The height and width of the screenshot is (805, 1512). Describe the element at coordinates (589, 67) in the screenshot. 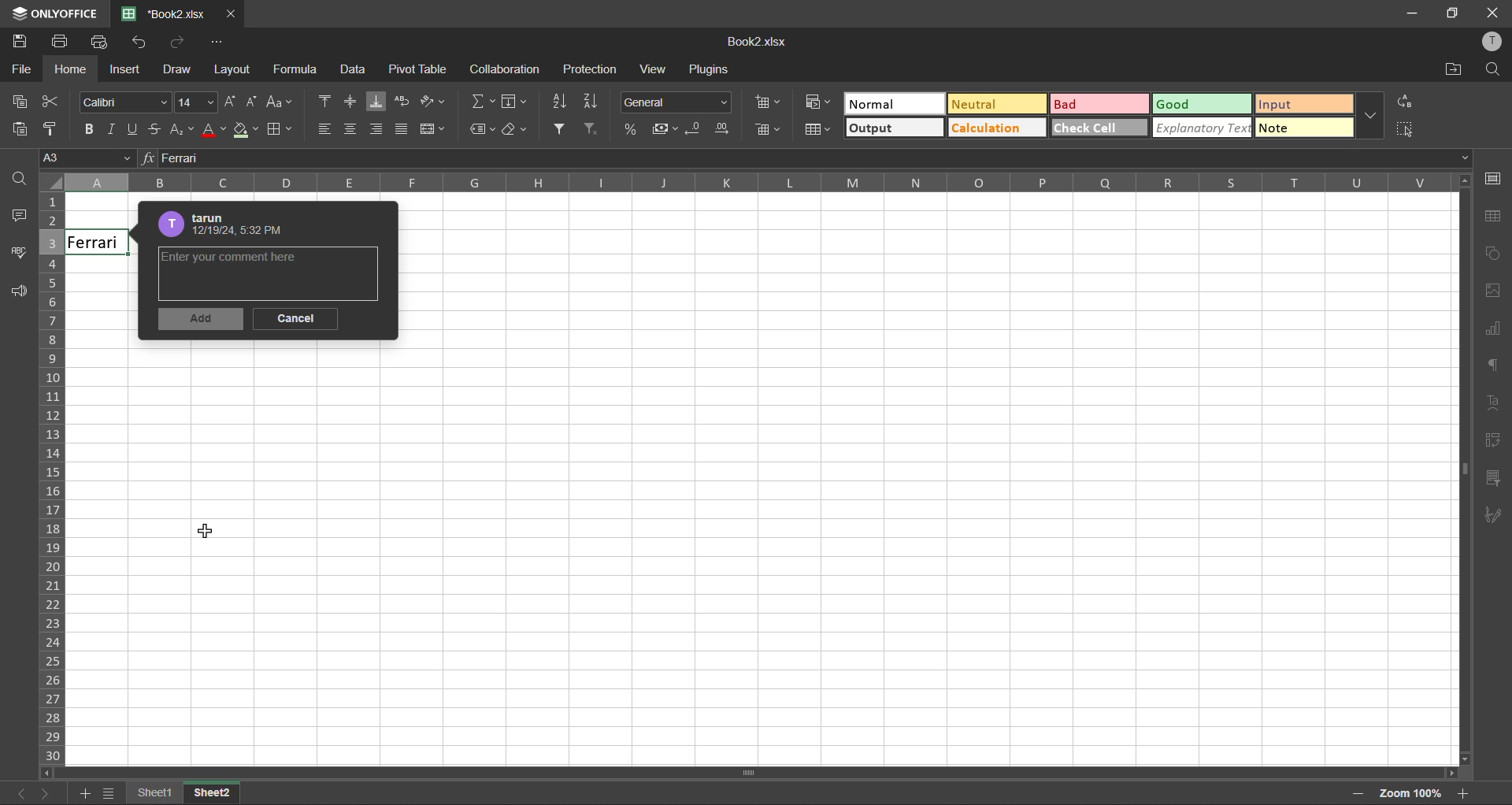

I see `protection` at that location.